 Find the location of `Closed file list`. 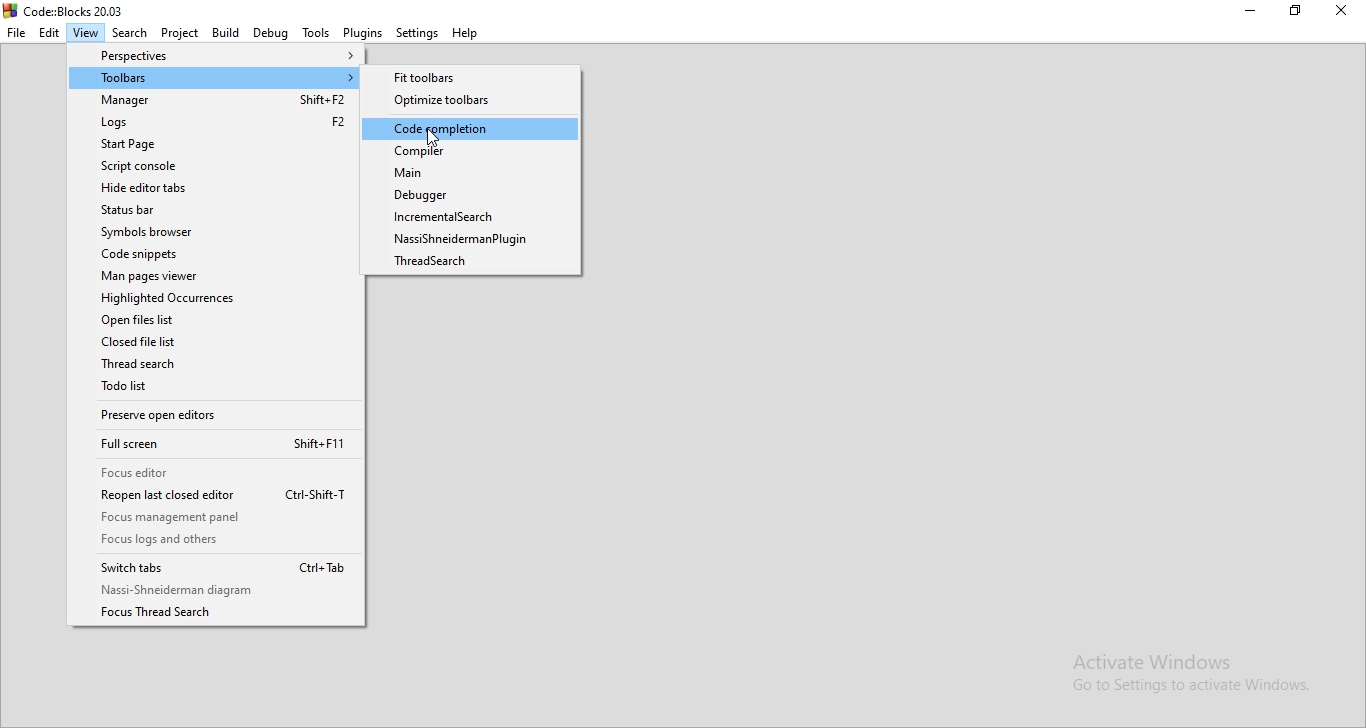

Closed file list is located at coordinates (221, 343).